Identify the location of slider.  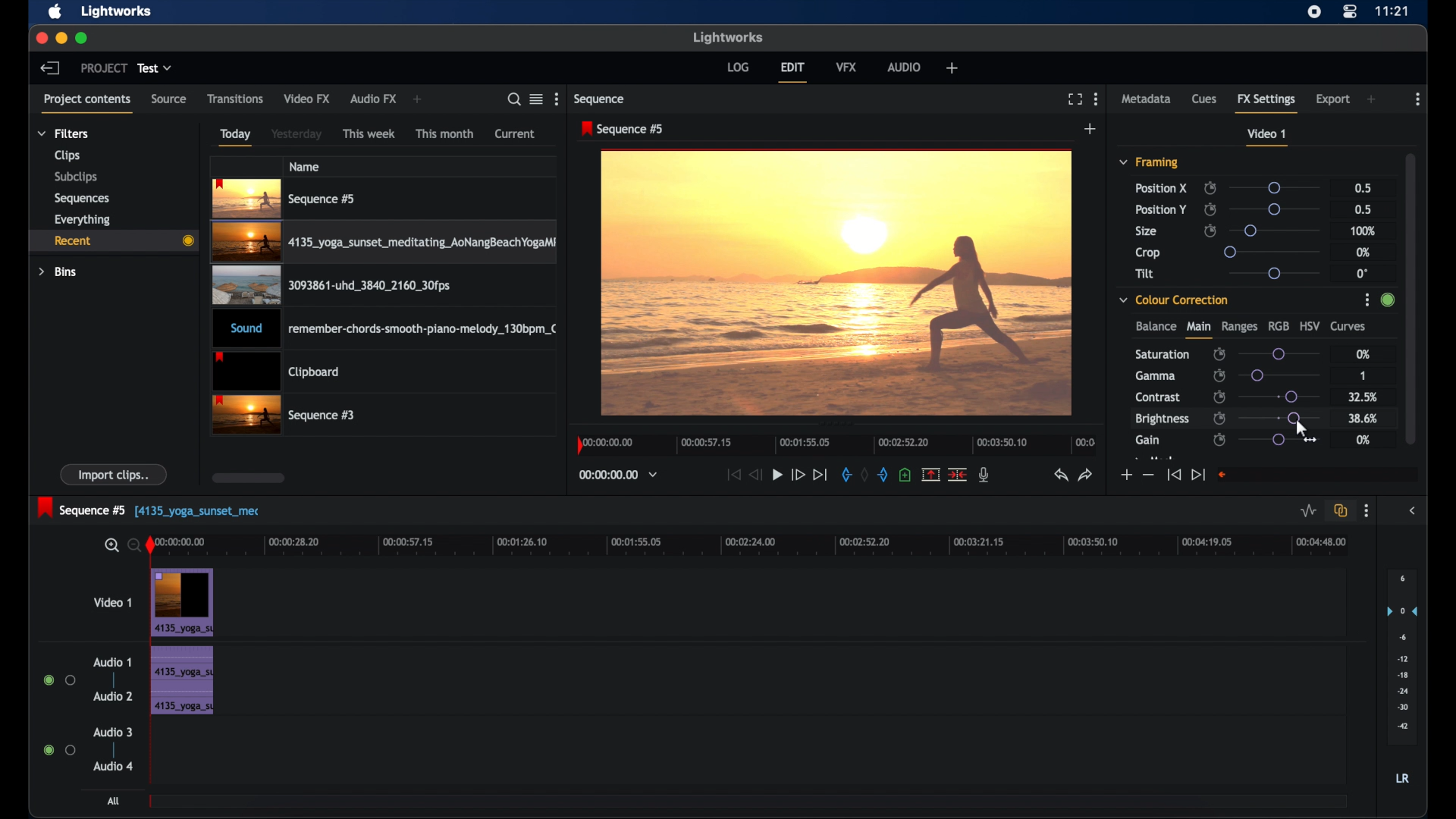
(1269, 252).